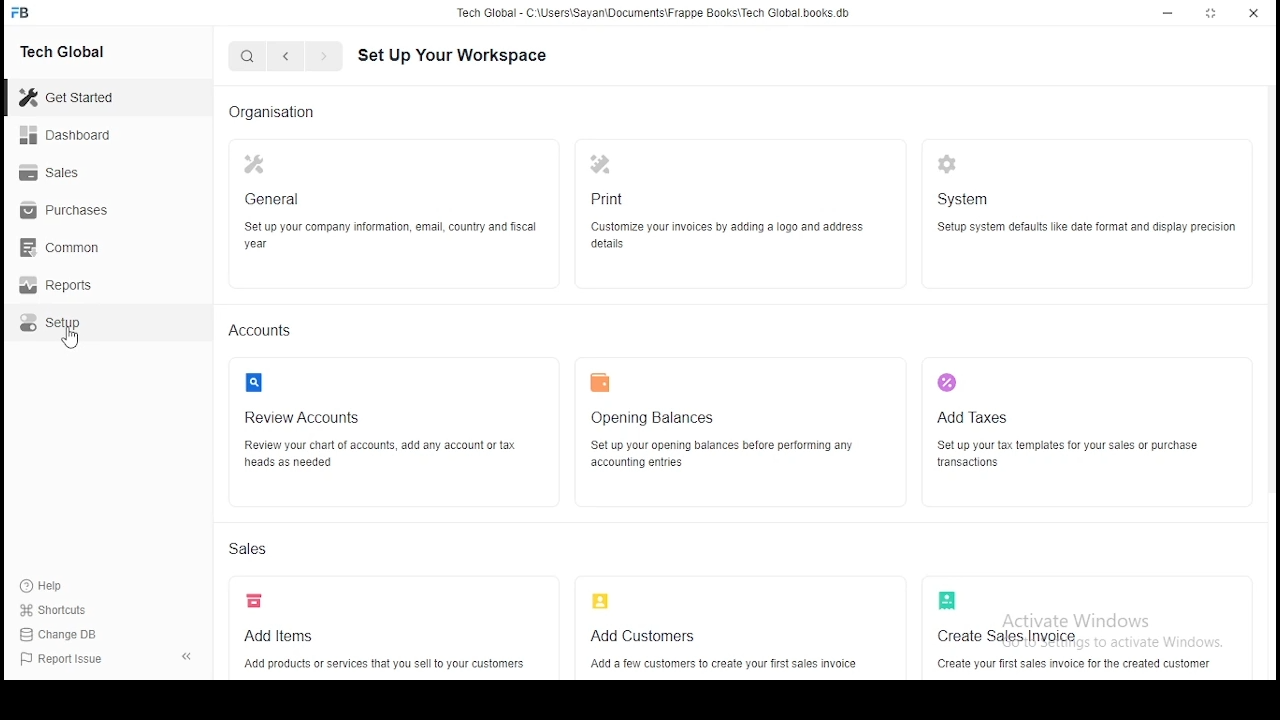 The height and width of the screenshot is (720, 1280). Describe the element at coordinates (732, 632) in the screenshot. I see `Add customers` at that location.